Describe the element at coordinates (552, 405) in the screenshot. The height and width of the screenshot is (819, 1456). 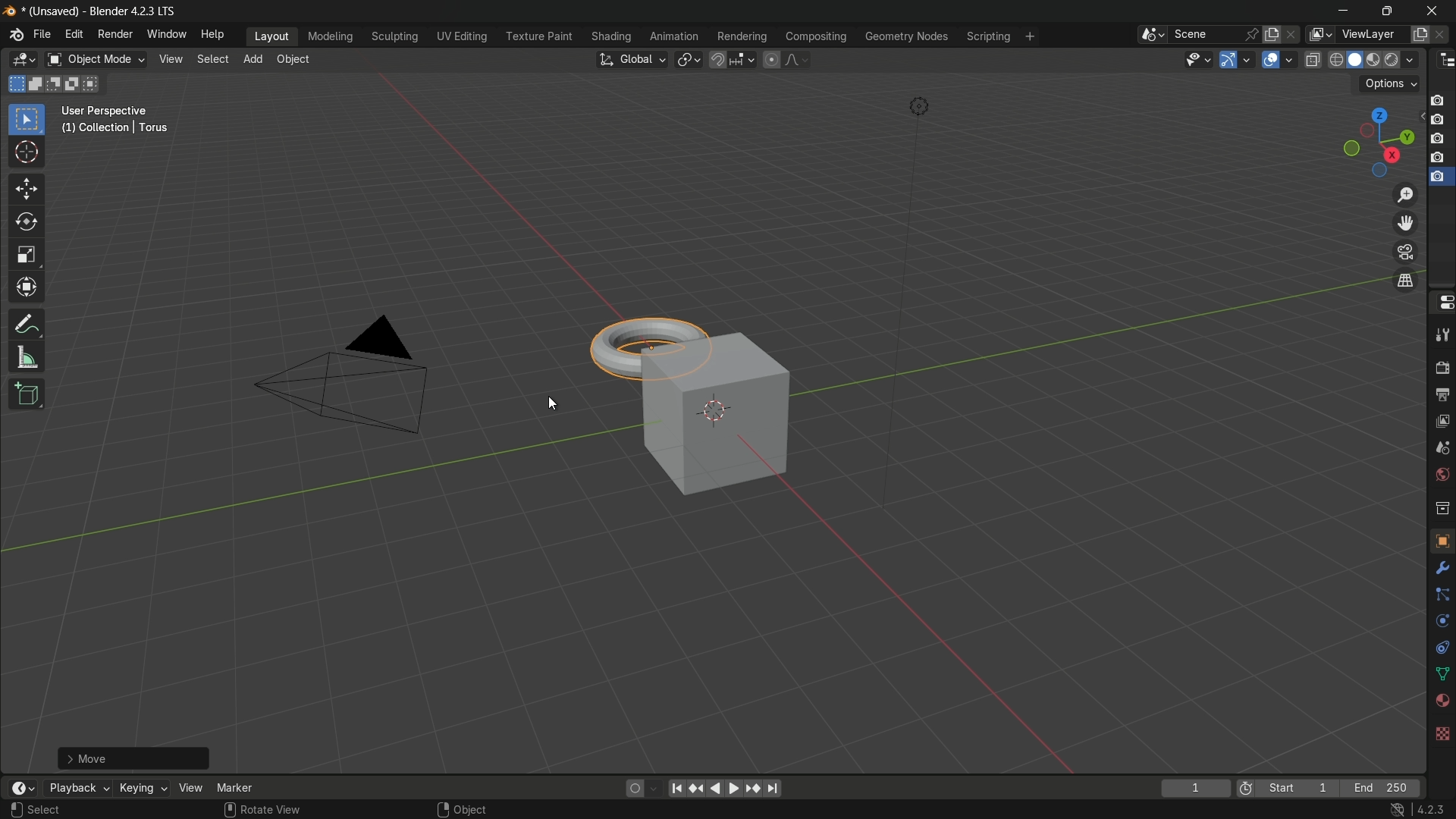
I see `cursor` at that location.